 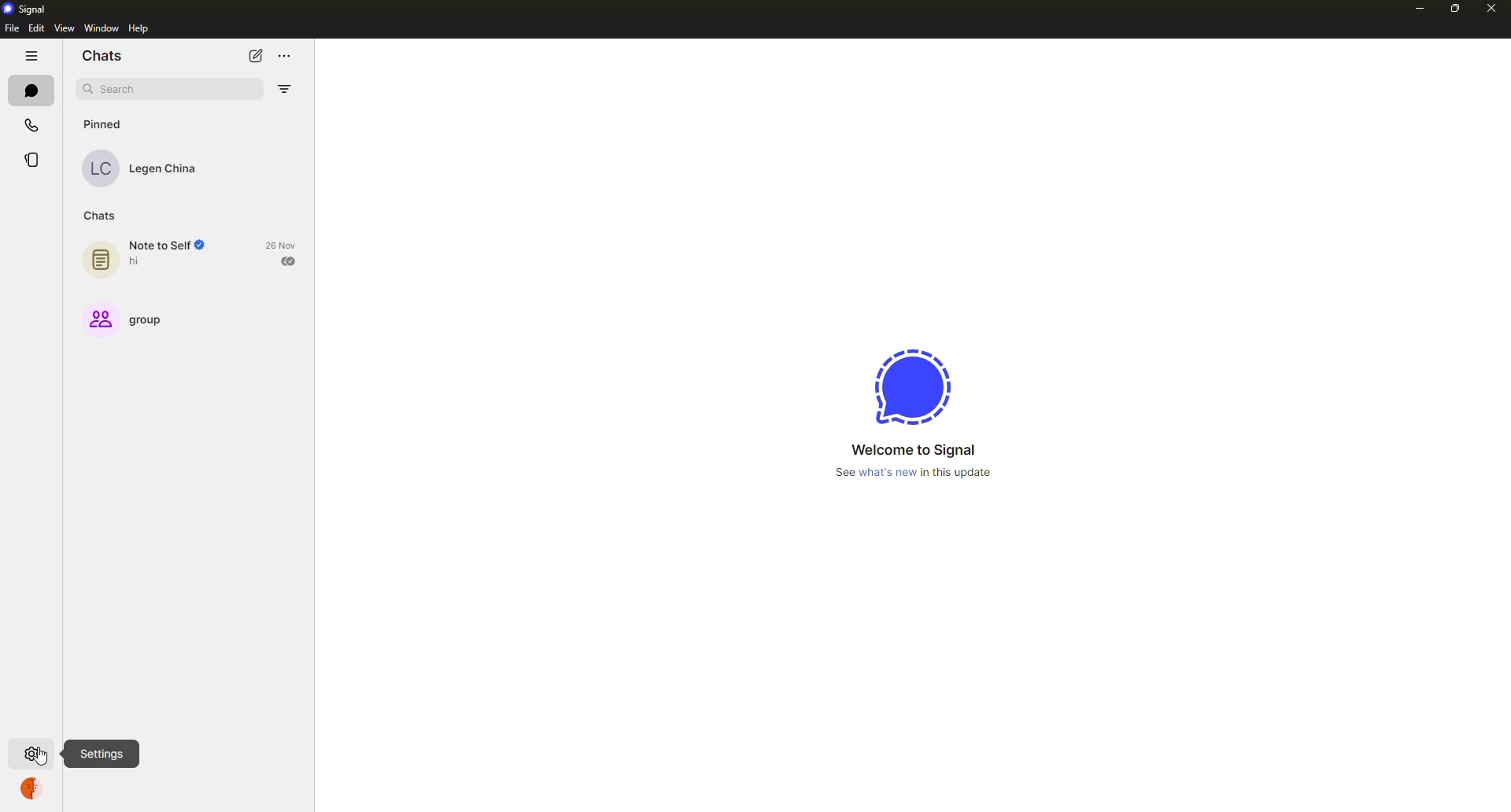 I want to click on settings, so click(x=34, y=754).